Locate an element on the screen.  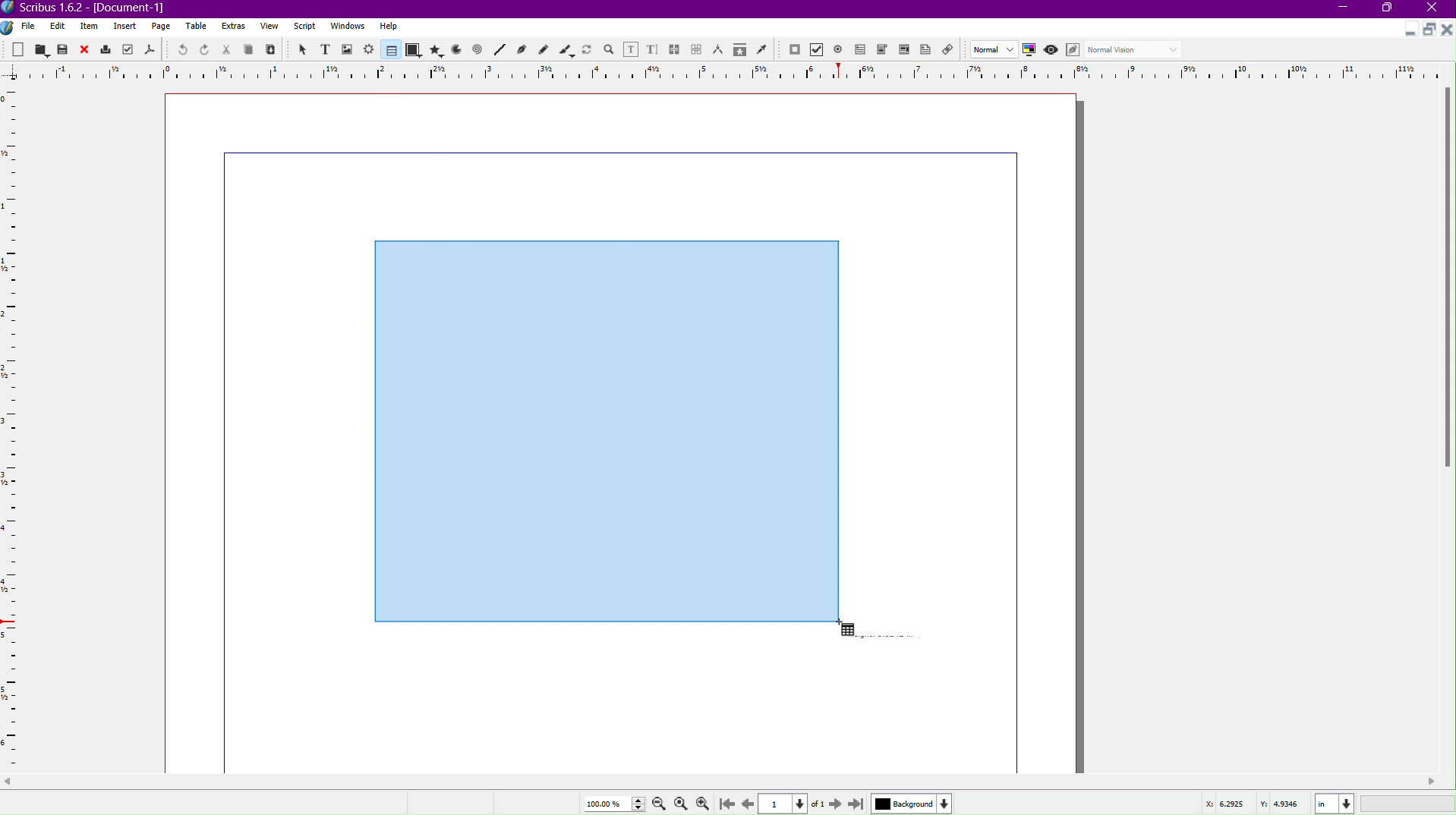
Link Text Frames is located at coordinates (675, 47).